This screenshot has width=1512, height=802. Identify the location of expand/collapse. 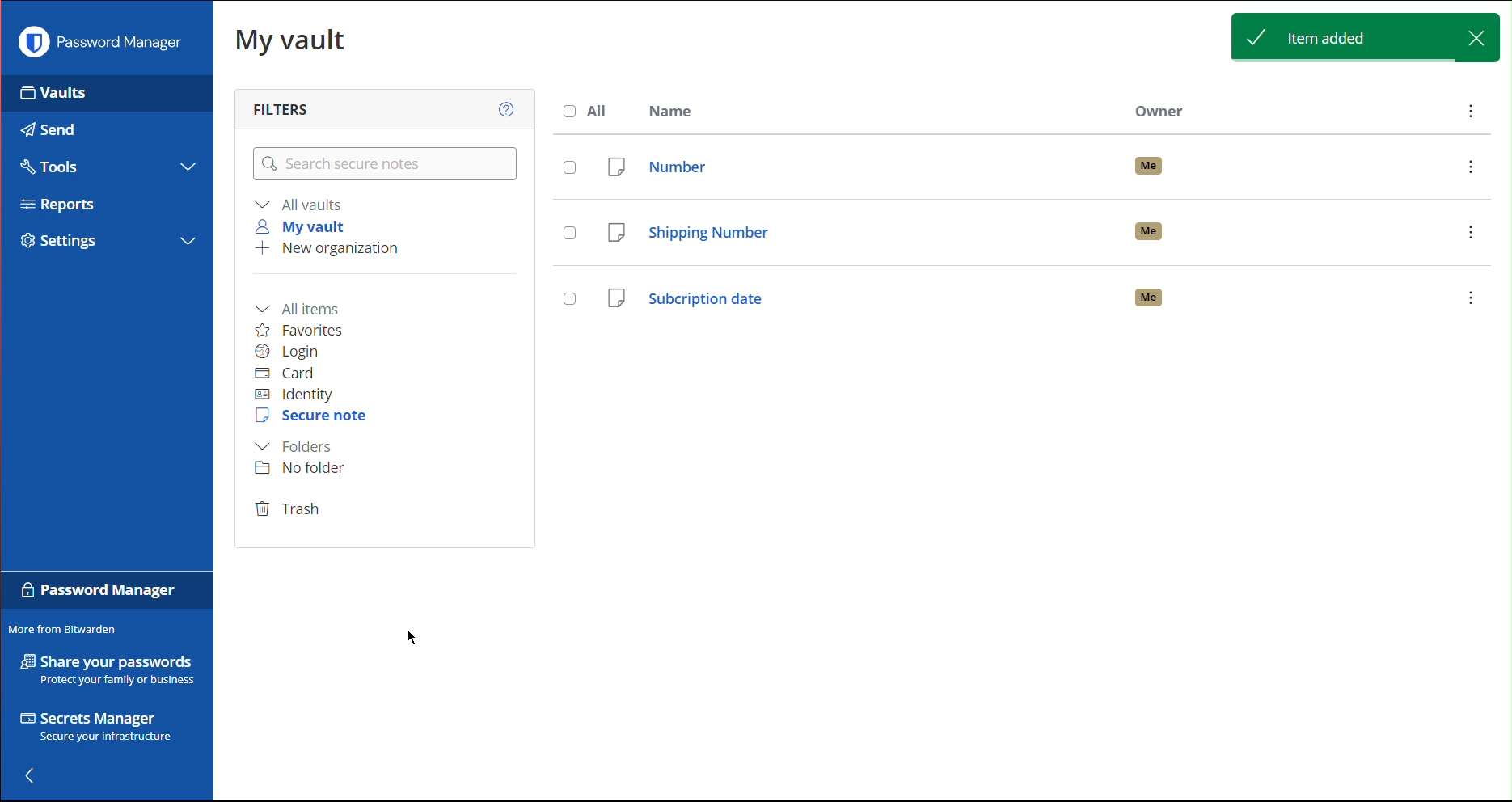
(186, 242).